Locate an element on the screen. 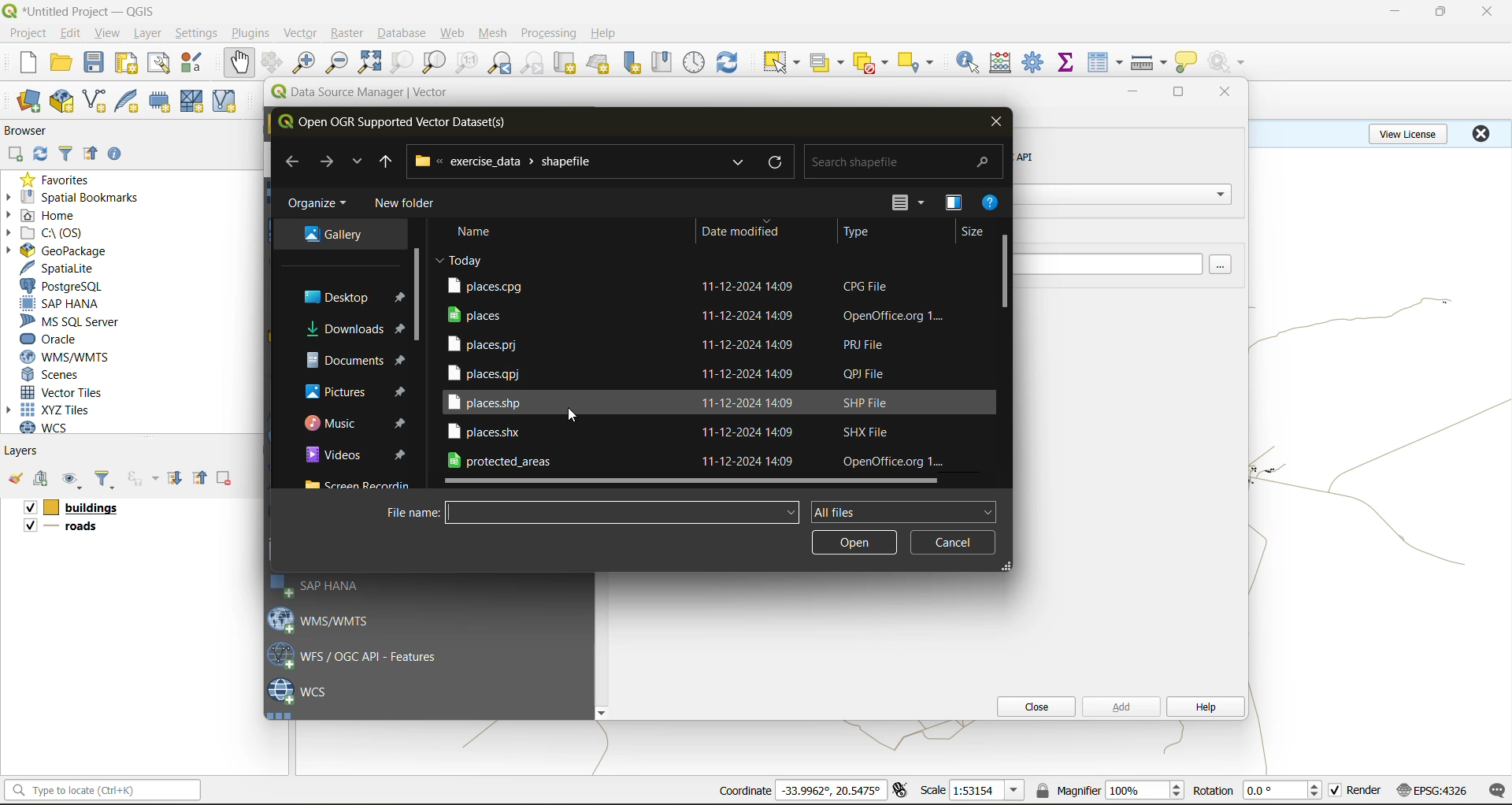 This screenshot has height=805, width=1512. temporary scratch layer is located at coordinates (164, 102).